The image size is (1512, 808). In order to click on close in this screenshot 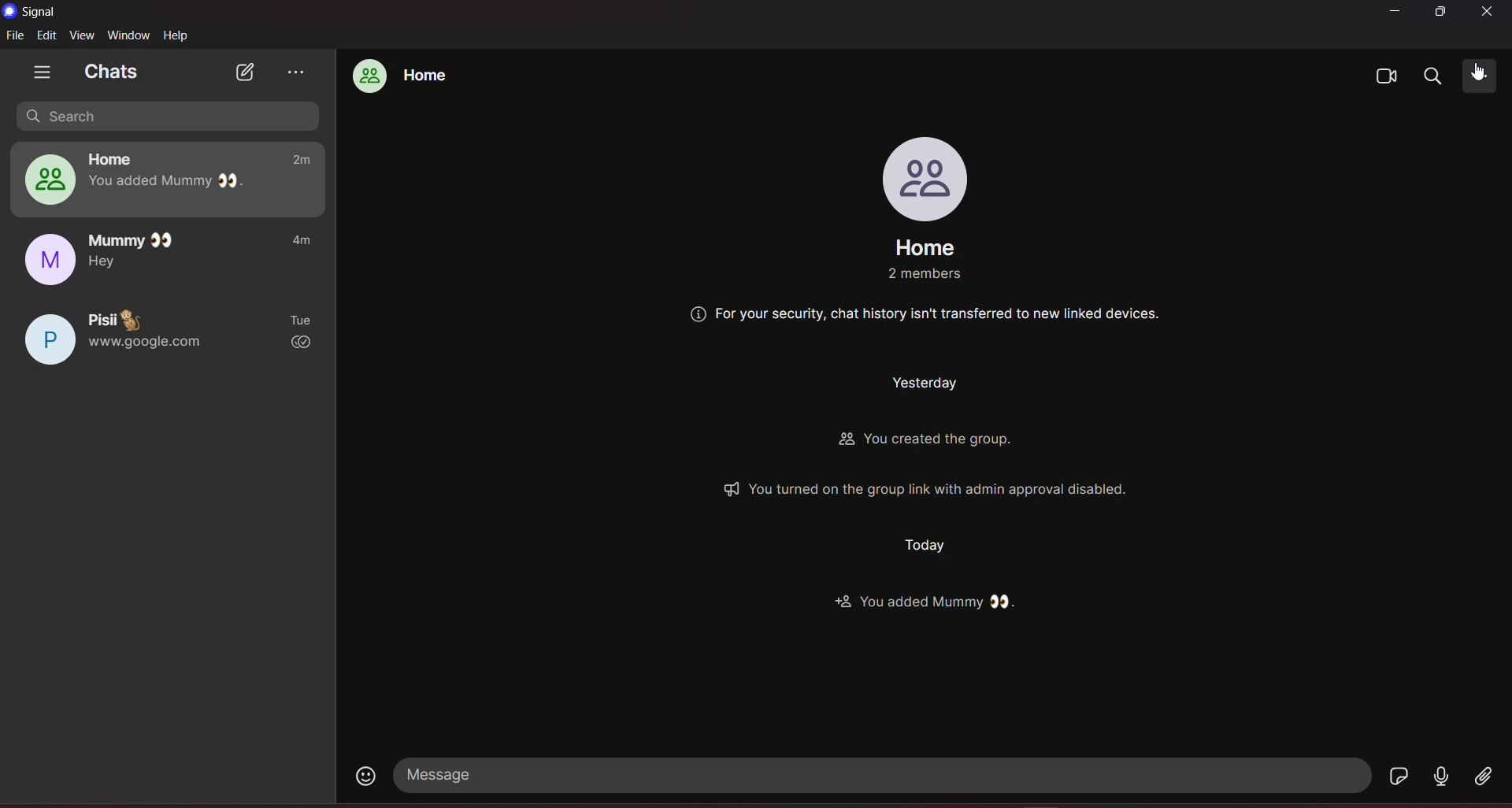, I will do `click(1488, 12)`.